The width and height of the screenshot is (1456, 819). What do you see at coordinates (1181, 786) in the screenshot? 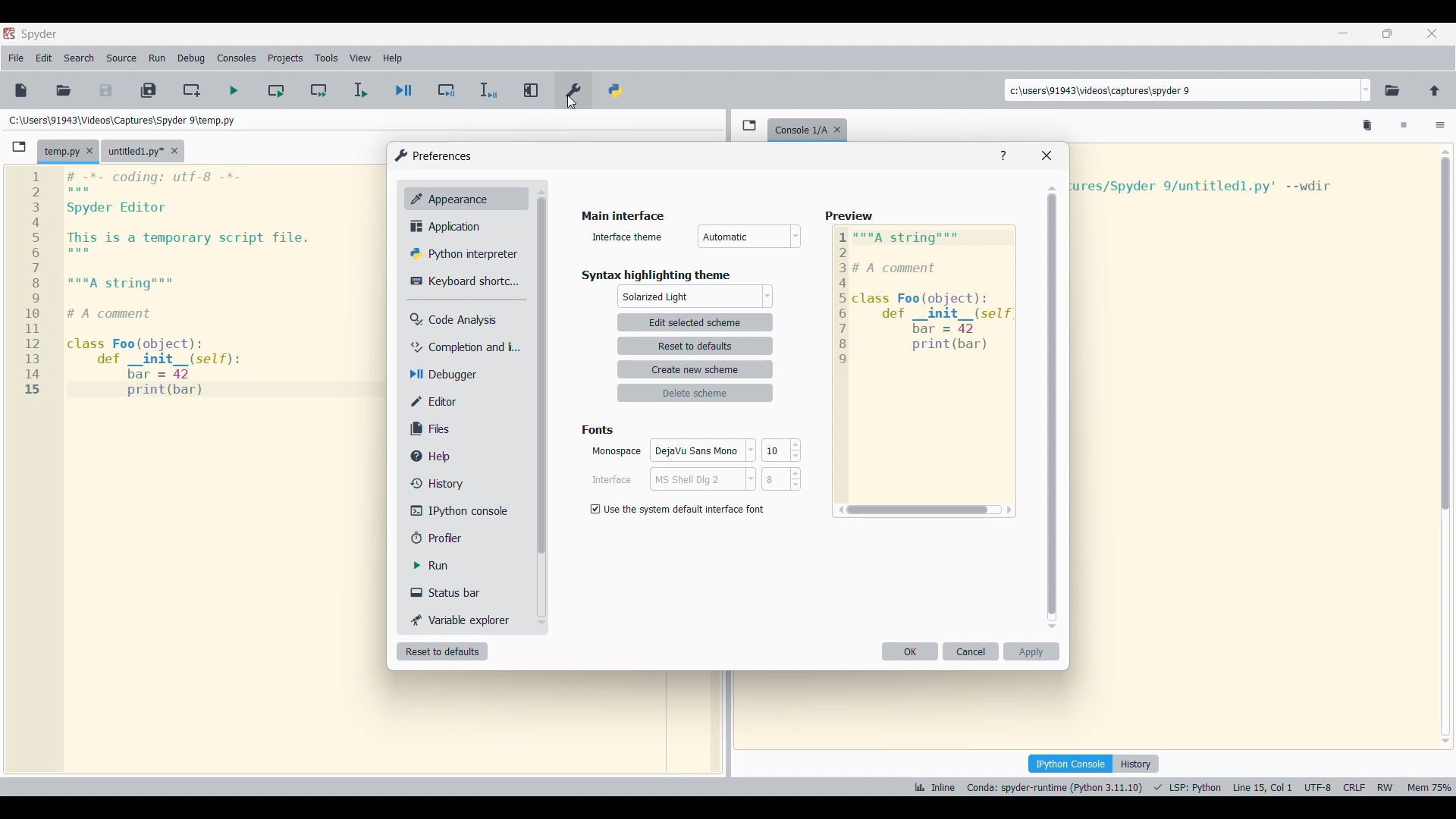
I see `Details of current code` at bounding box center [1181, 786].